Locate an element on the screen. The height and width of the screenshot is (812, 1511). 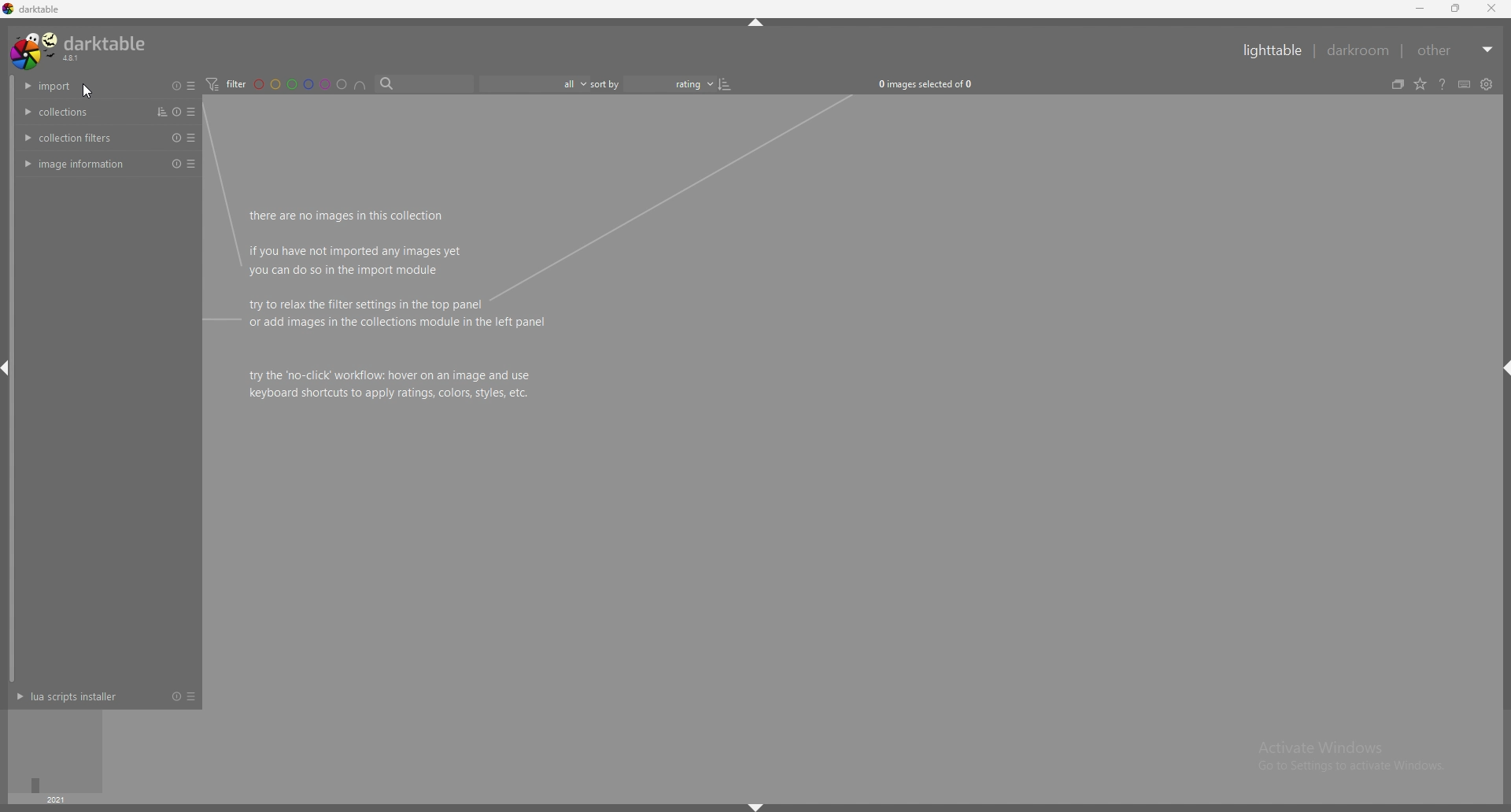
color labels is located at coordinates (300, 84).